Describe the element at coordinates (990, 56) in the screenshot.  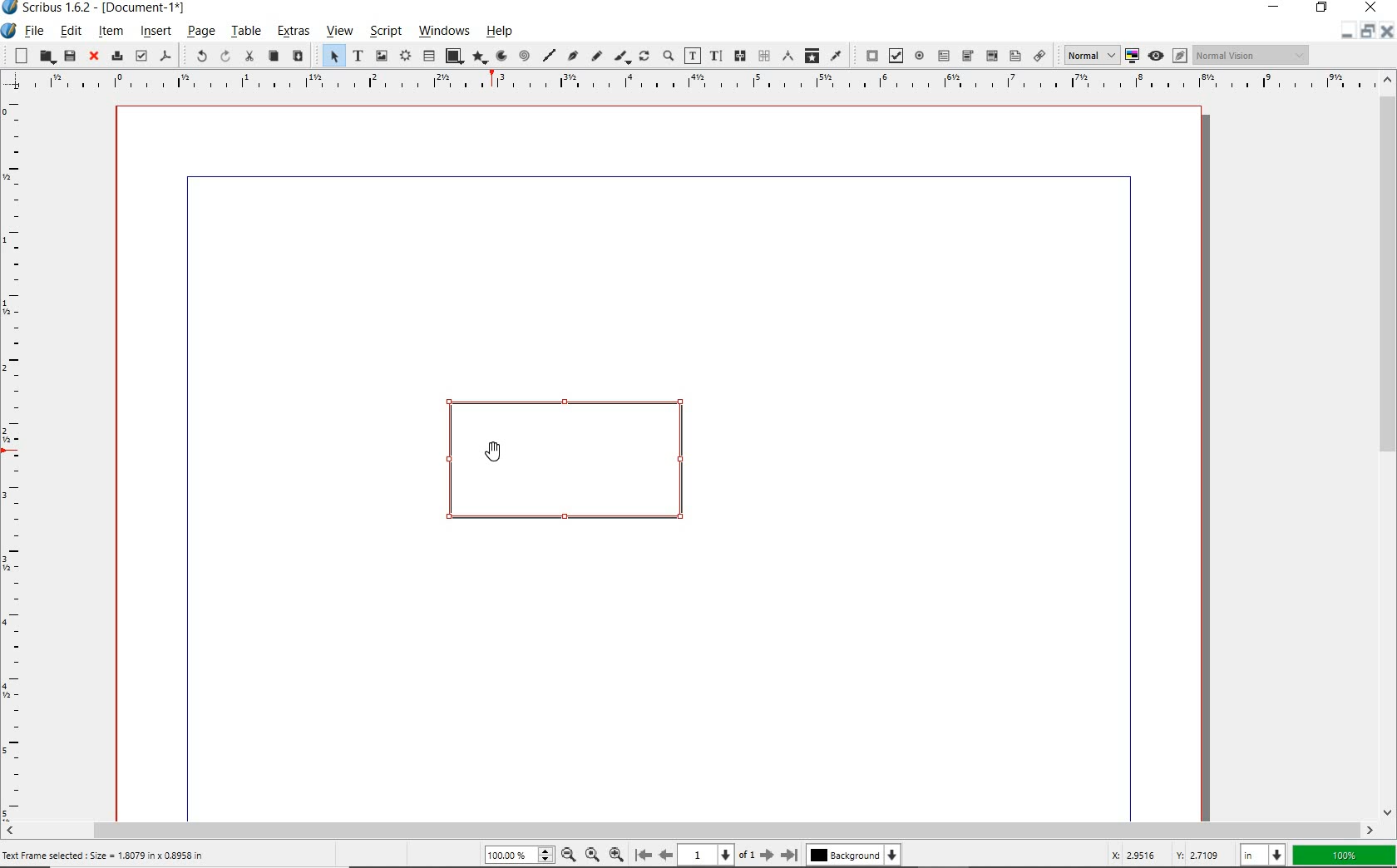
I see `pdf combo box` at that location.